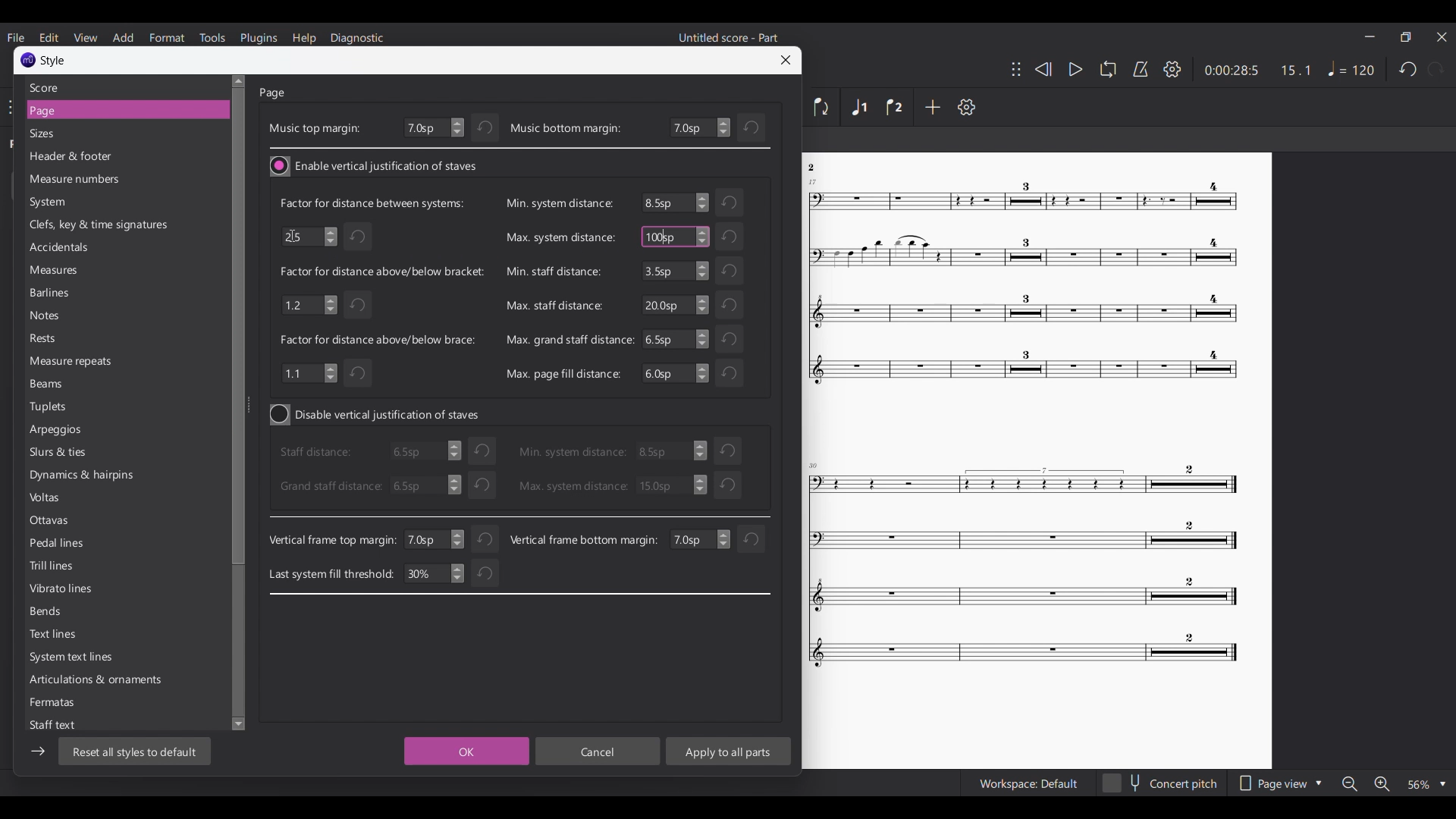 The width and height of the screenshot is (1456, 819). What do you see at coordinates (168, 37) in the screenshot?
I see `format` at bounding box center [168, 37].